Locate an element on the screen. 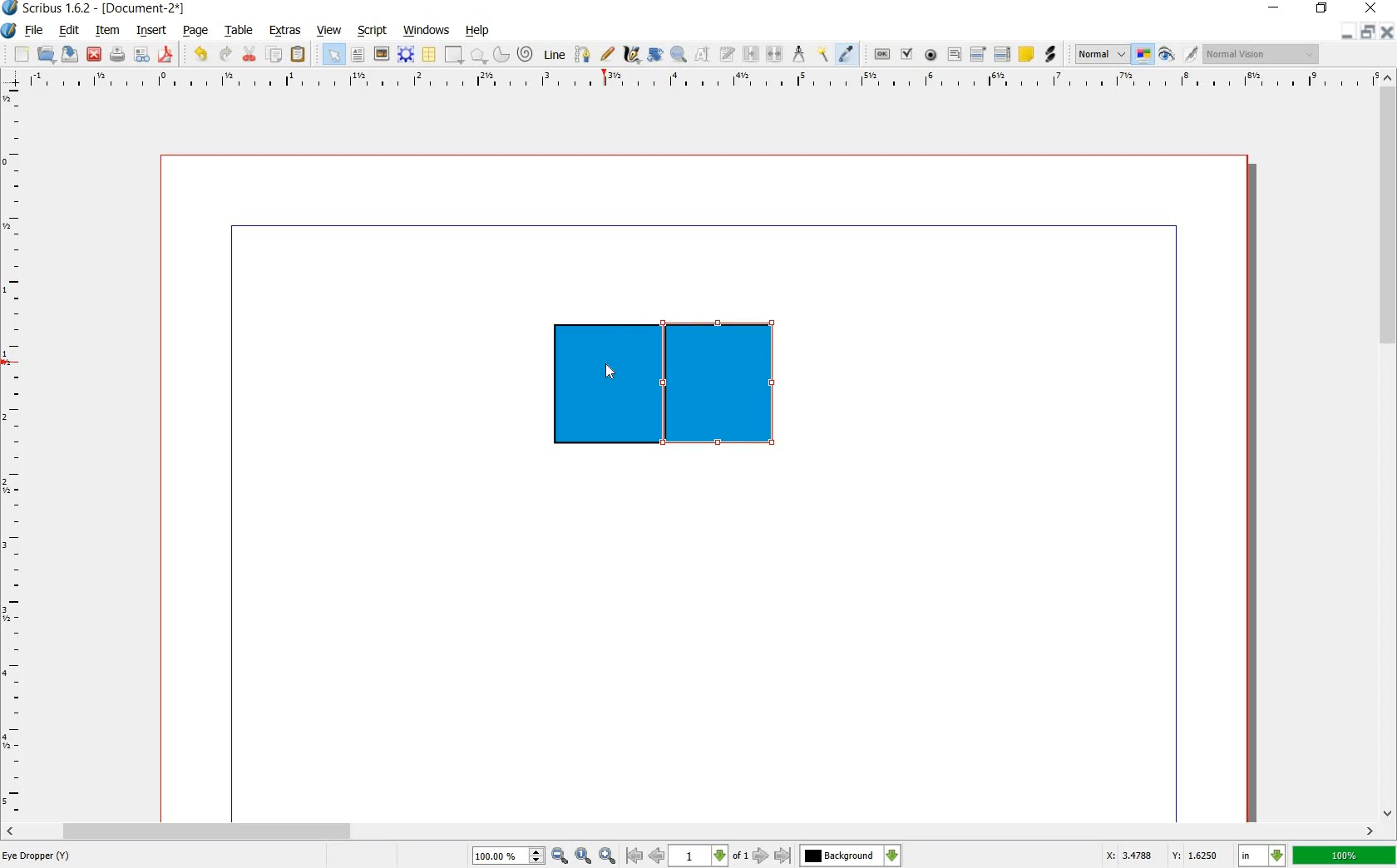 This screenshot has height=868, width=1397. go to next page is located at coordinates (761, 856).